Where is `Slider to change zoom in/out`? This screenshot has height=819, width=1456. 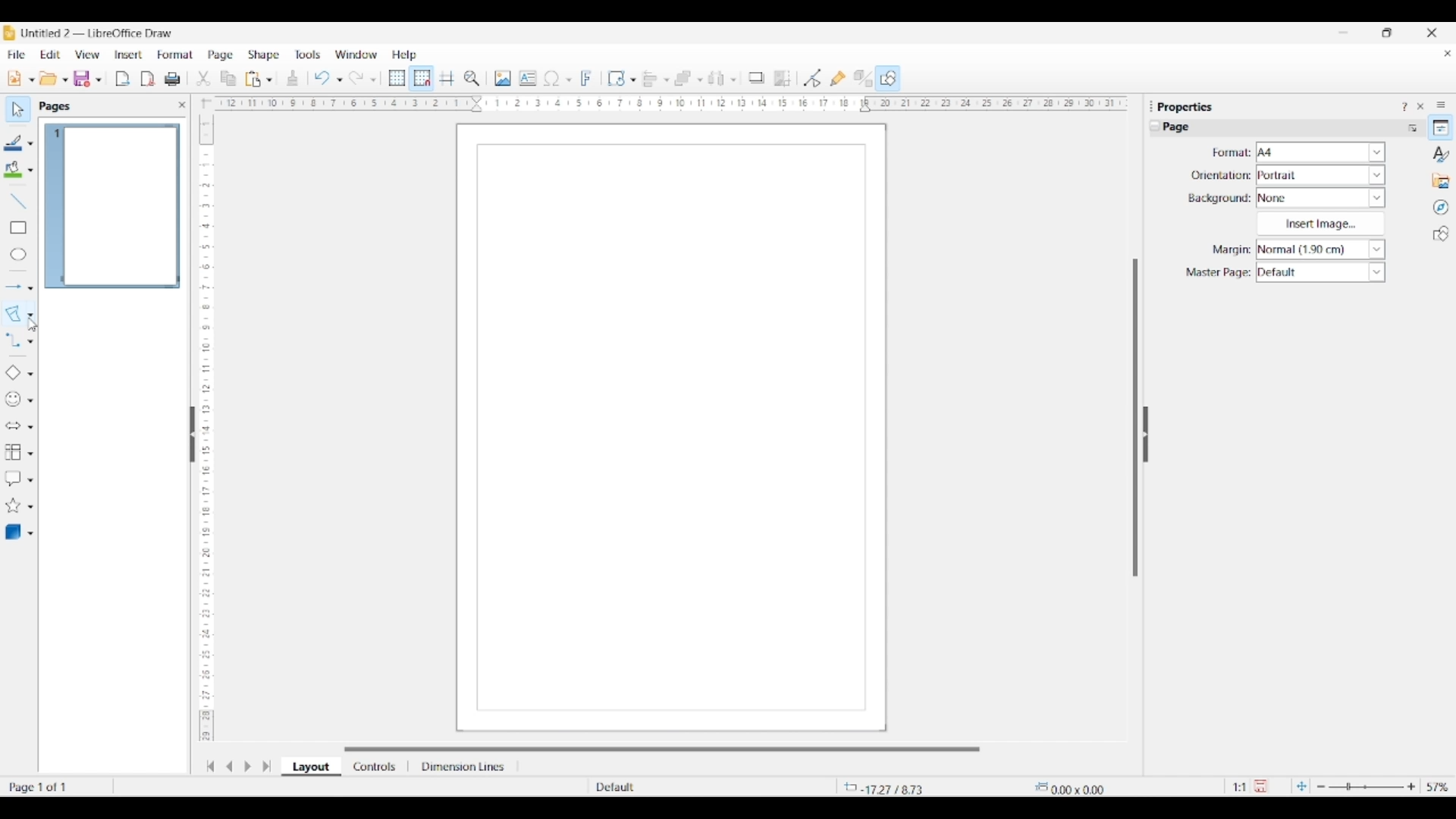 Slider to change zoom in/out is located at coordinates (1366, 786).